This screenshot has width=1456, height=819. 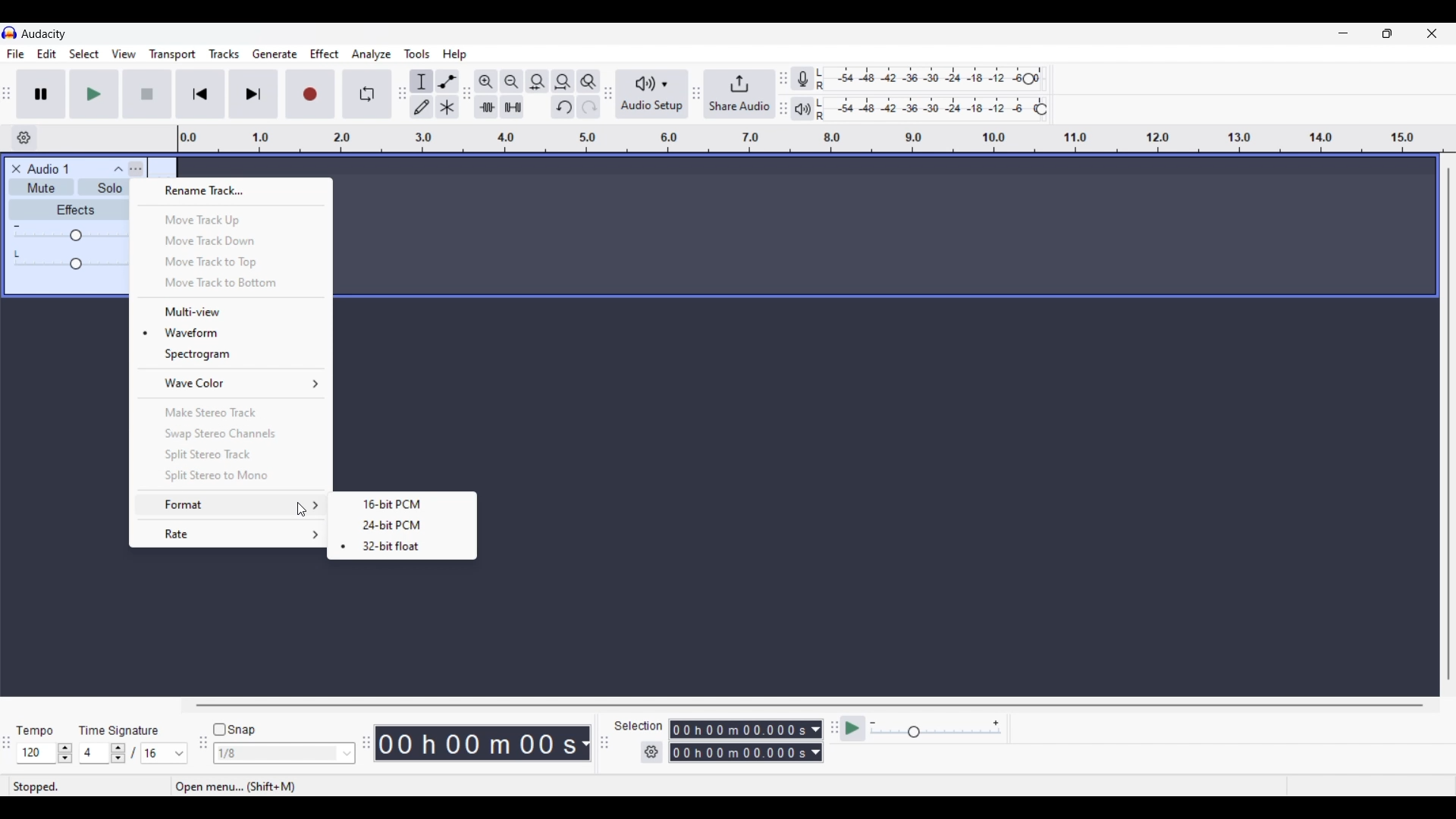 I want to click on 16 bit format option, so click(x=403, y=504).